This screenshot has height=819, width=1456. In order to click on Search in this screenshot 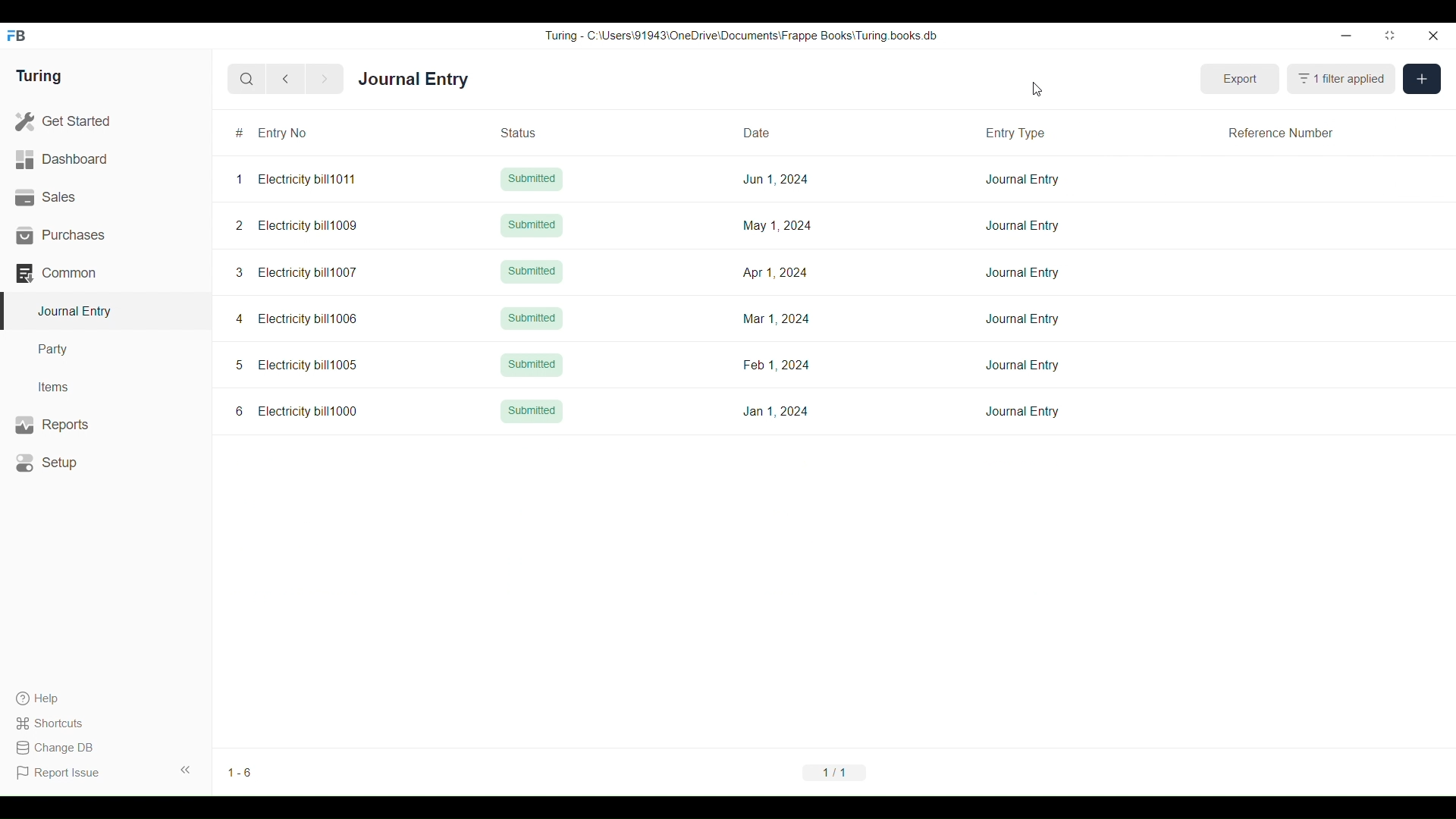, I will do `click(246, 80)`.